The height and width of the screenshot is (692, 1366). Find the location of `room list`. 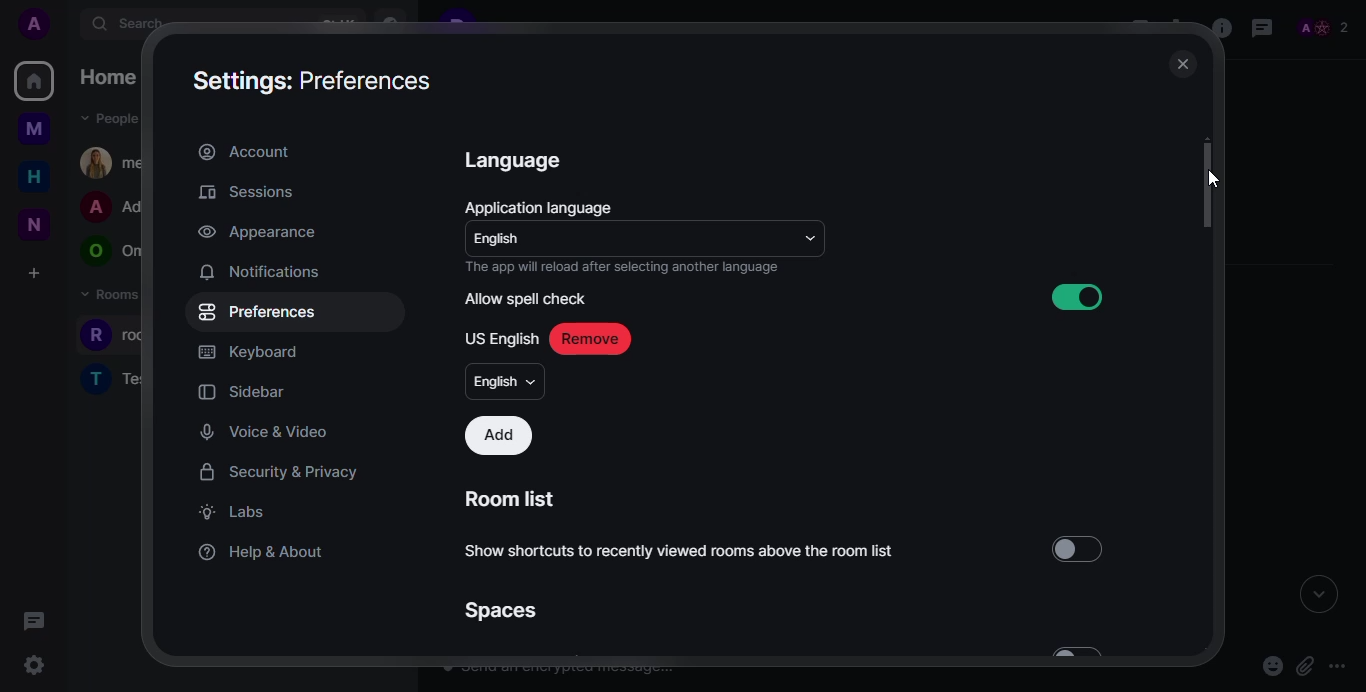

room list is located at coordinates (514, 499).